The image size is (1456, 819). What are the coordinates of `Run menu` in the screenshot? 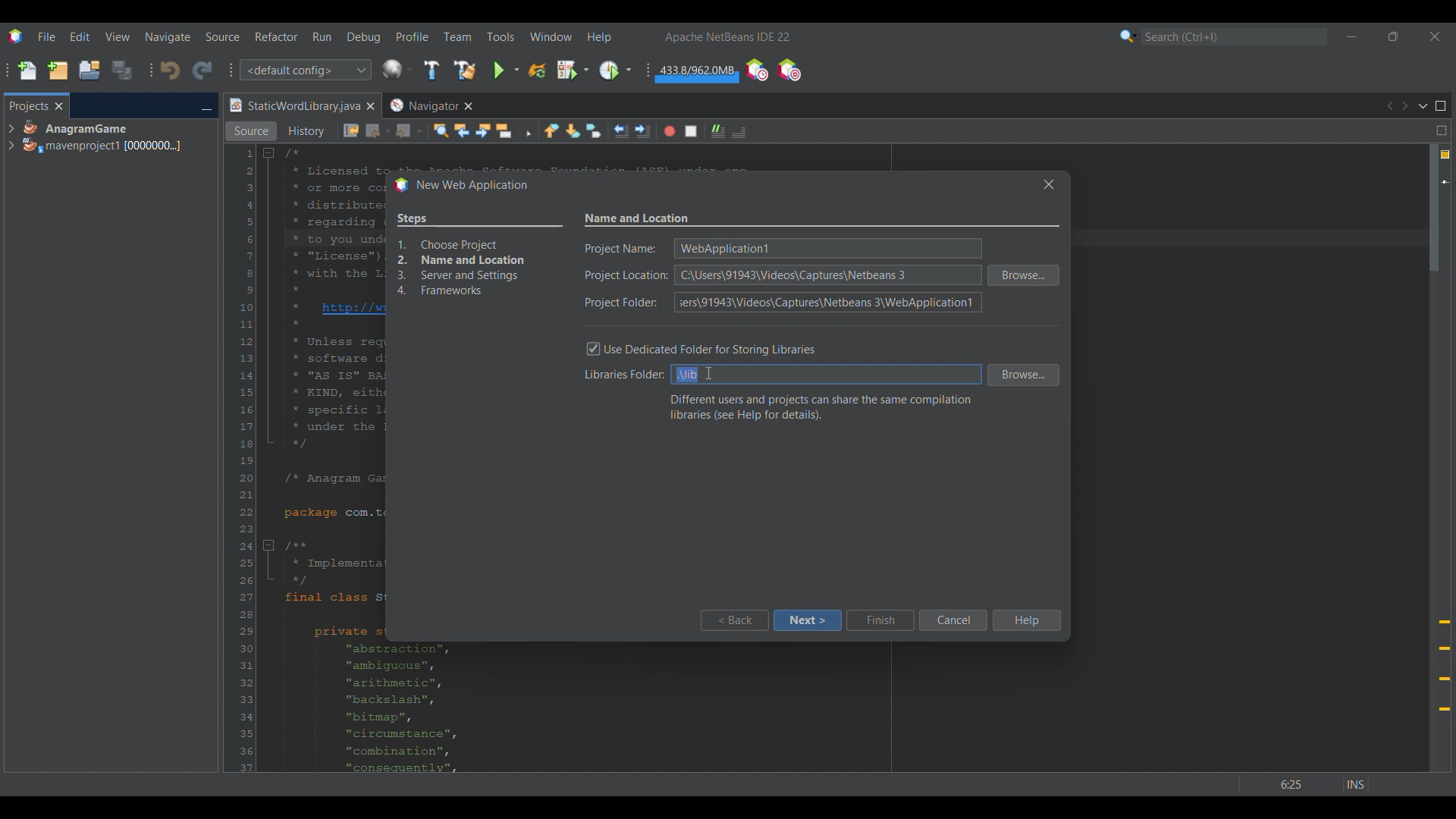 It's located at (322, 36).